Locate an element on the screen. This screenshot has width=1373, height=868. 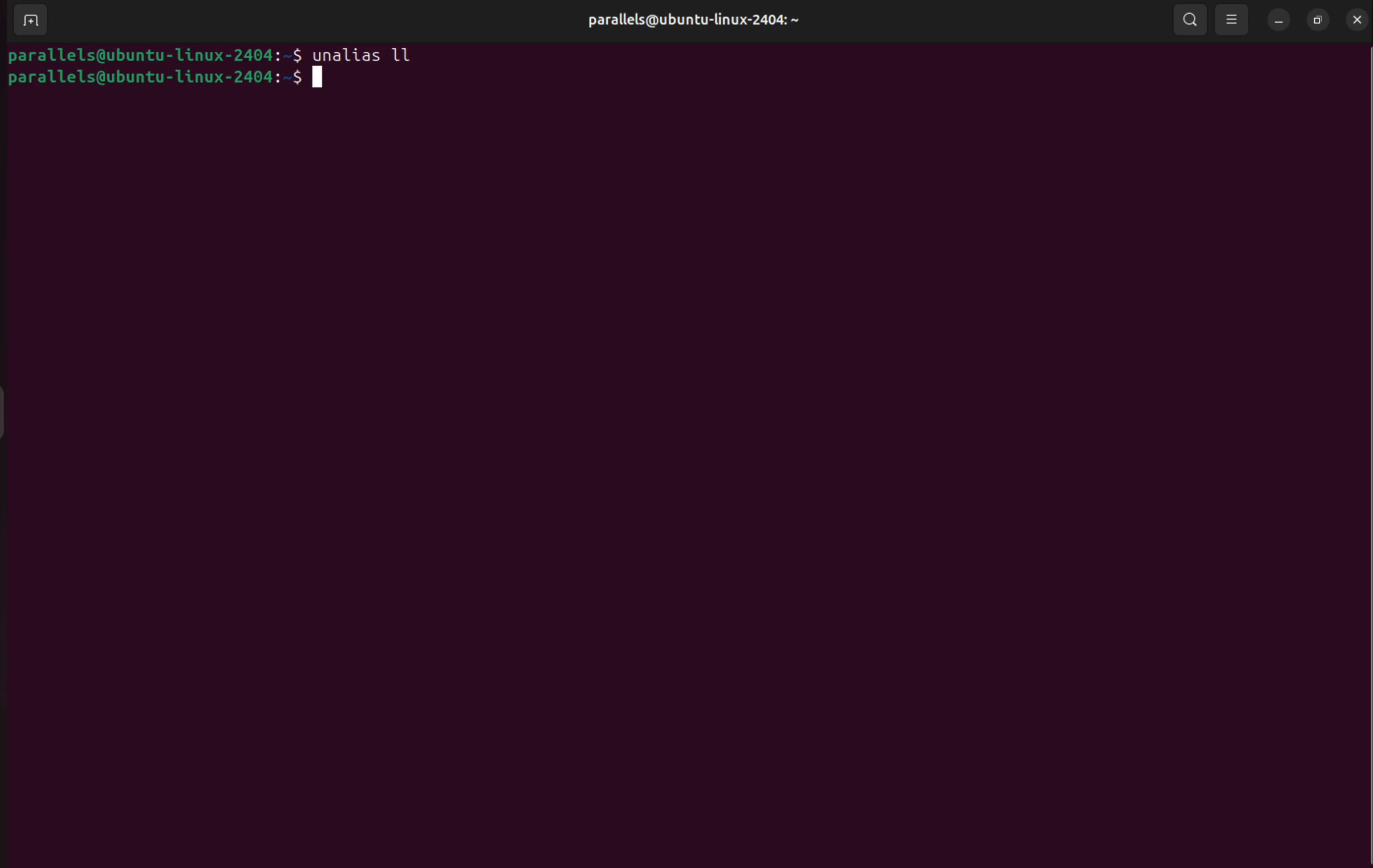
bash prompt is located at coordinates (153, 52).